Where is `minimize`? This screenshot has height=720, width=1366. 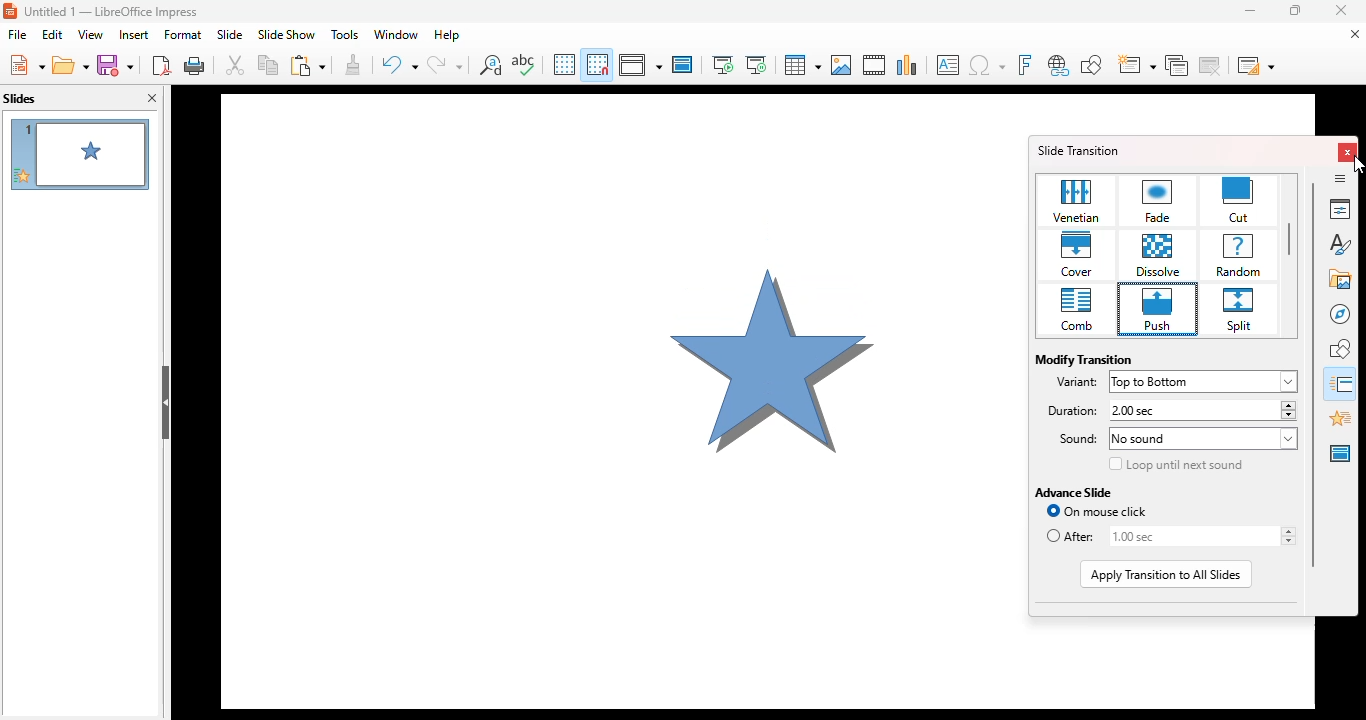 minimize is located at coordinates (1249, 10).